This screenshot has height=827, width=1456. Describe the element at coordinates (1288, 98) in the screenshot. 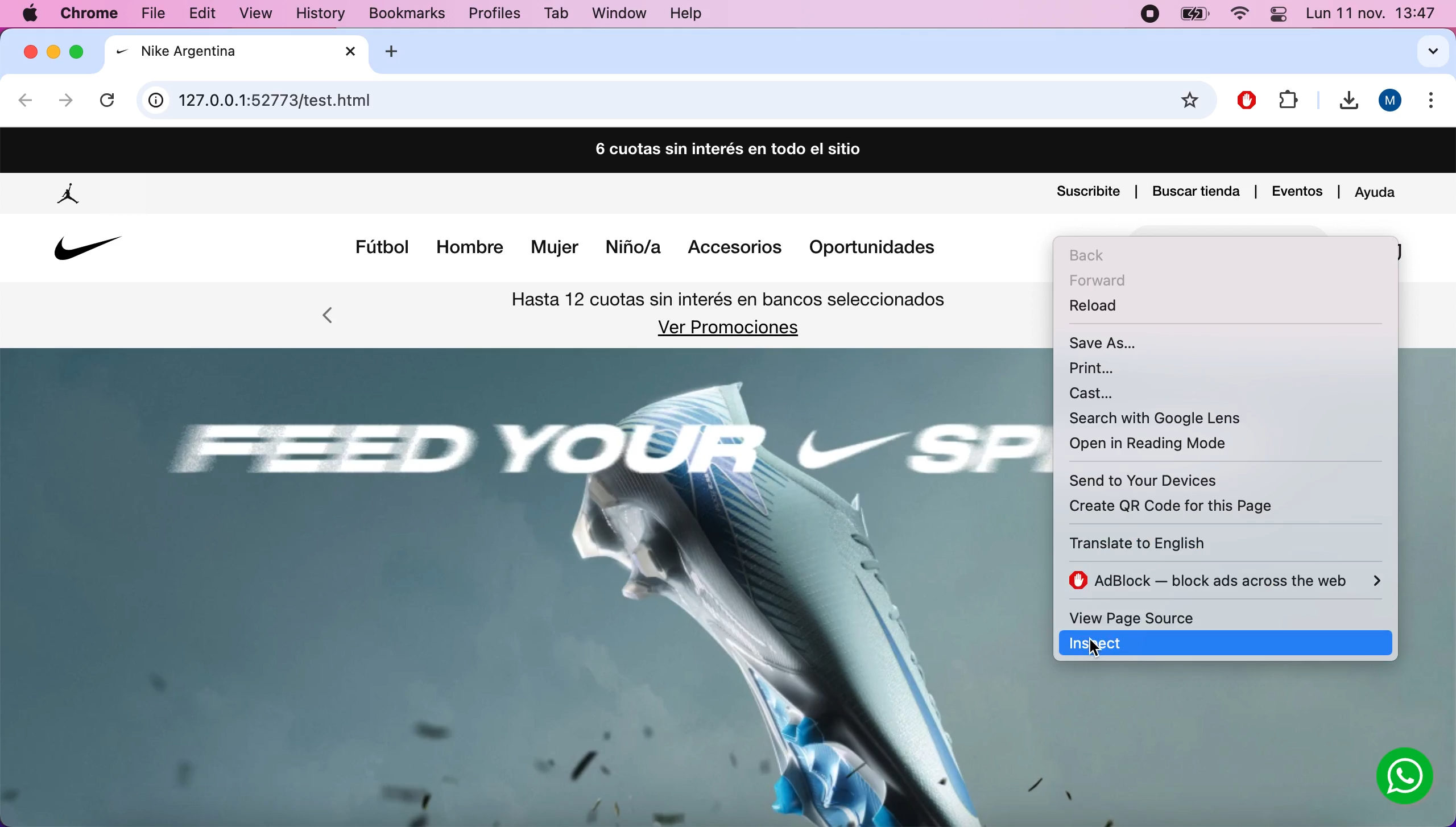

I see `file` at that location.